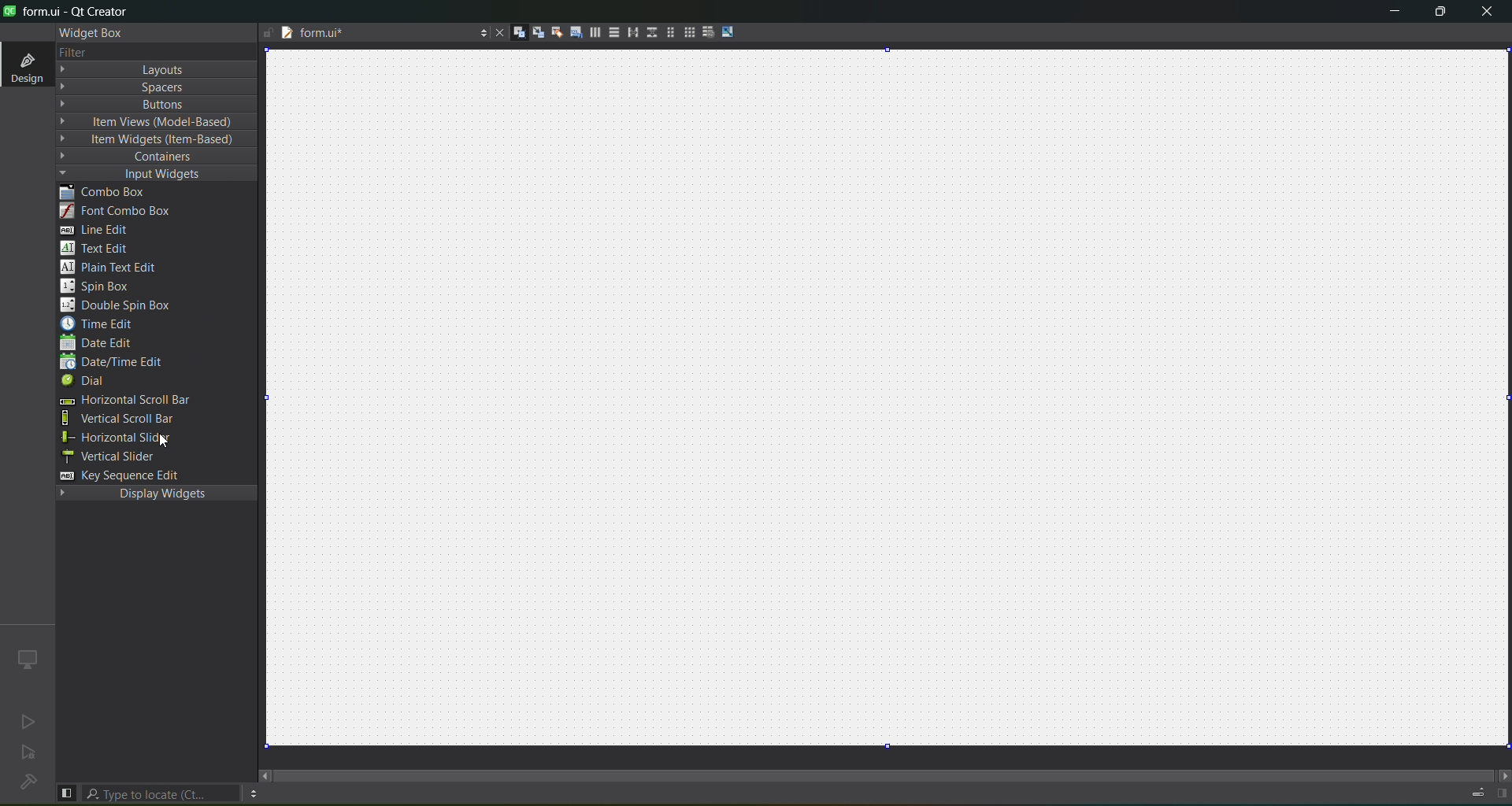 The image size is (1512, 806). What do you see at coordinates (135, 87) in the screenshot?
I see `spaces` at bounding box center [135, 87].